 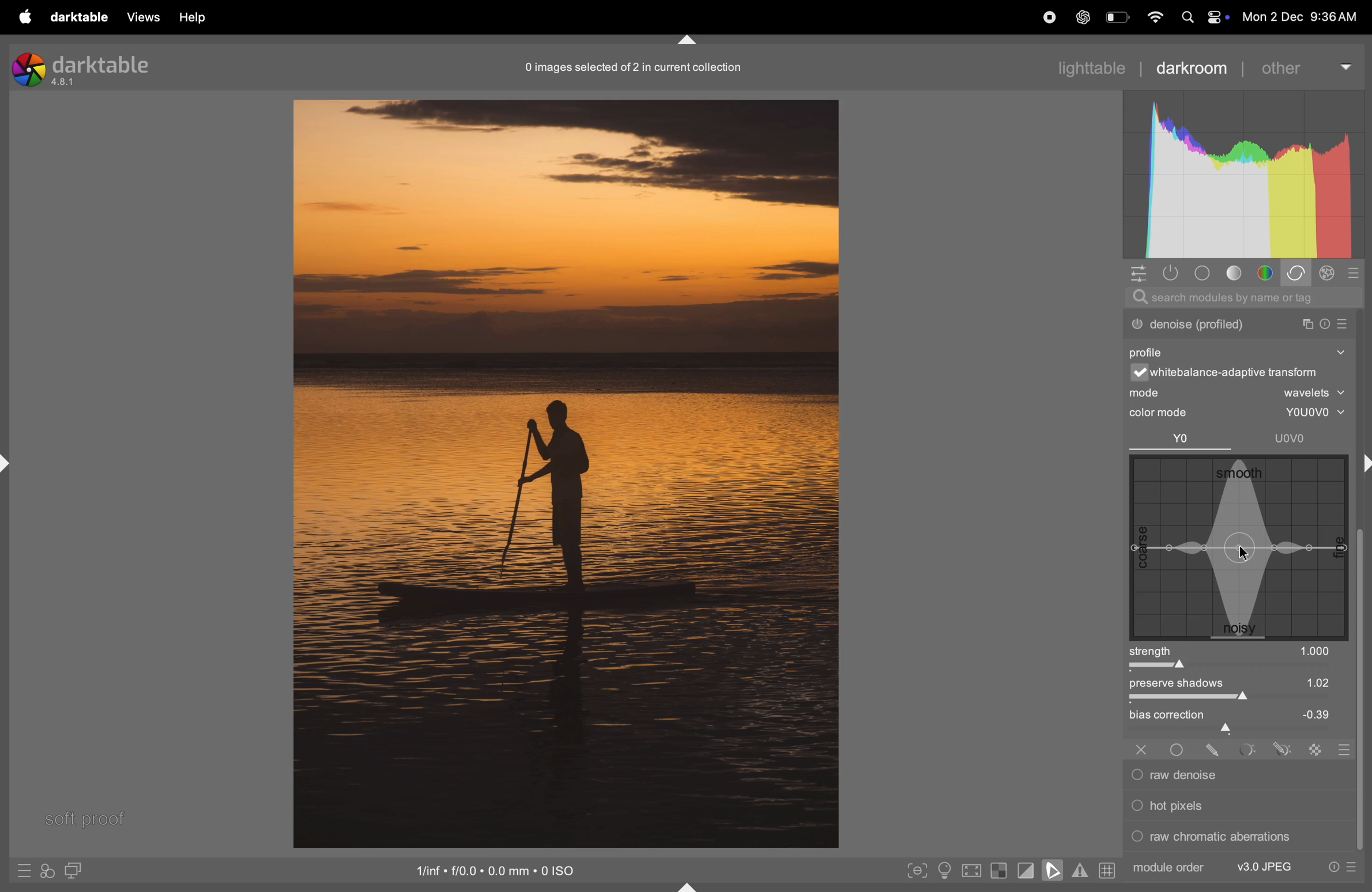 I want to click on darktable version, so click(x=82, y=66).